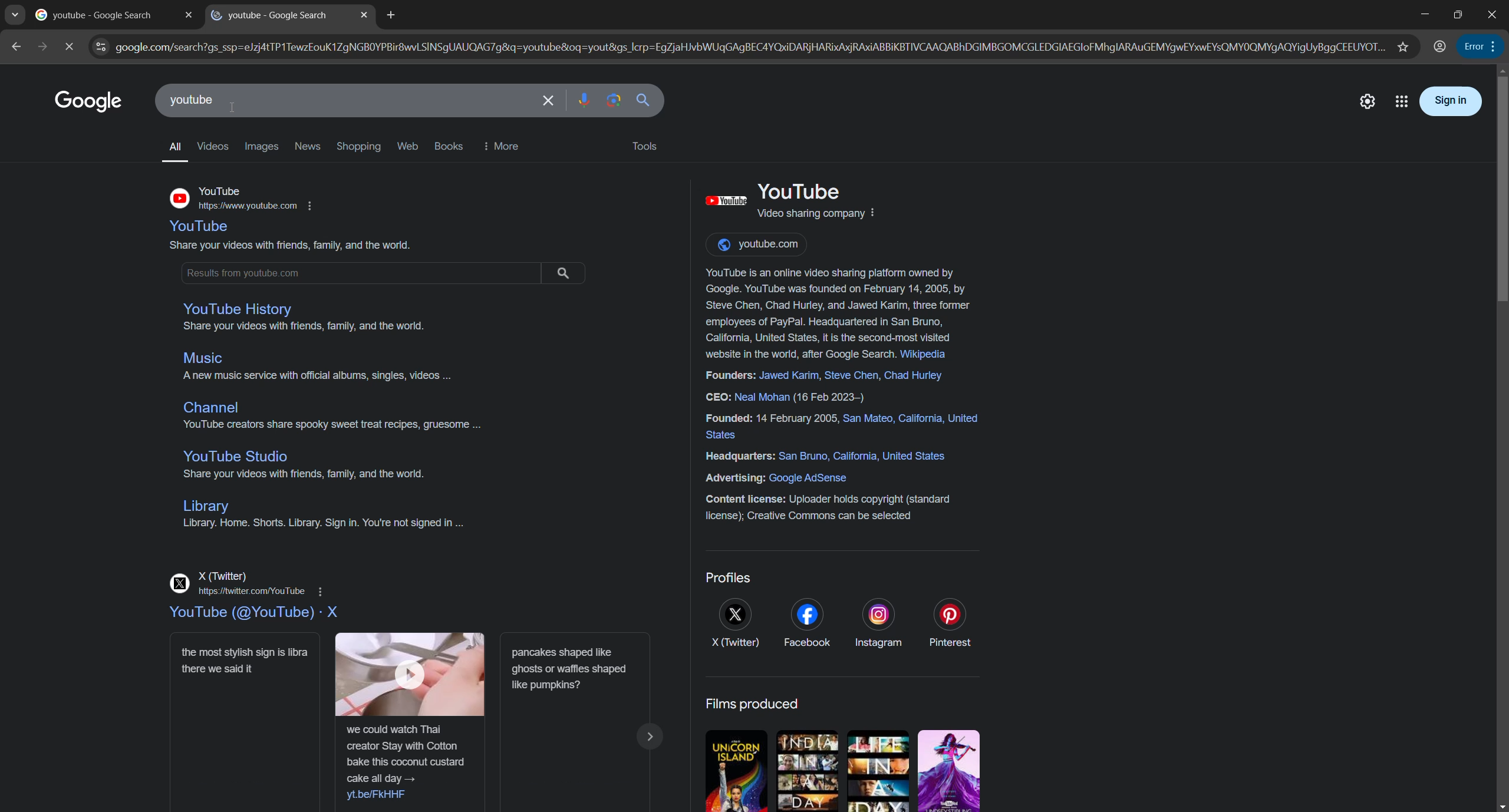 The image size is (1509, 812). What do you see at coordinates (308, 146) in the screenshot?
I see `news` at bounding box center [308, 146].